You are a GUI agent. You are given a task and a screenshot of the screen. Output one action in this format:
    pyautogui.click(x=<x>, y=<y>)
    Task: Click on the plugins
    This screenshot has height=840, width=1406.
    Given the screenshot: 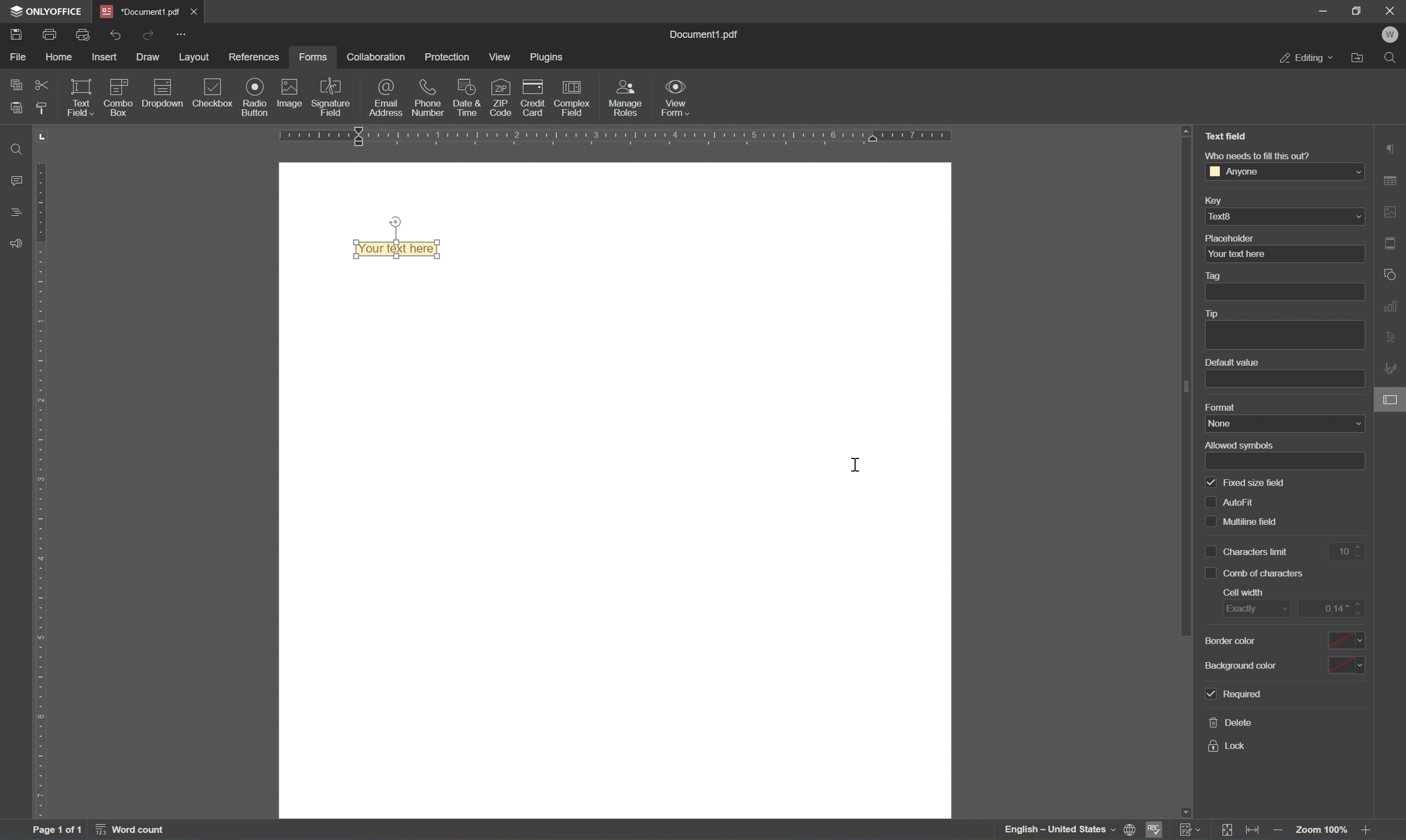 What is the action you would take?
    pyautogui.click(x=546, y=57)
    